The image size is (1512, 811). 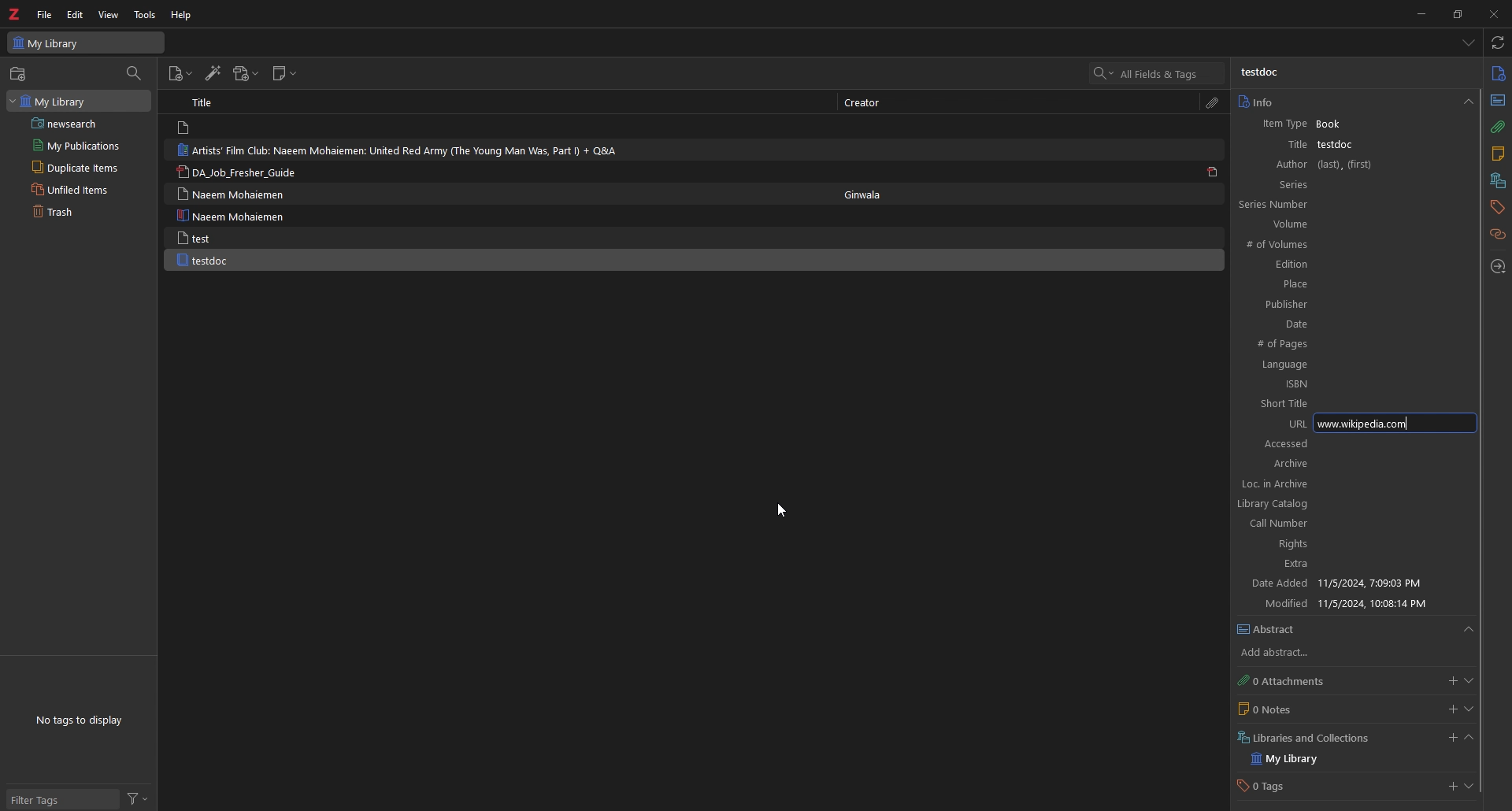 What do you see at coordinates (209, 102) in the screenshot?
I see `Title` at bounding box center [209, 102].